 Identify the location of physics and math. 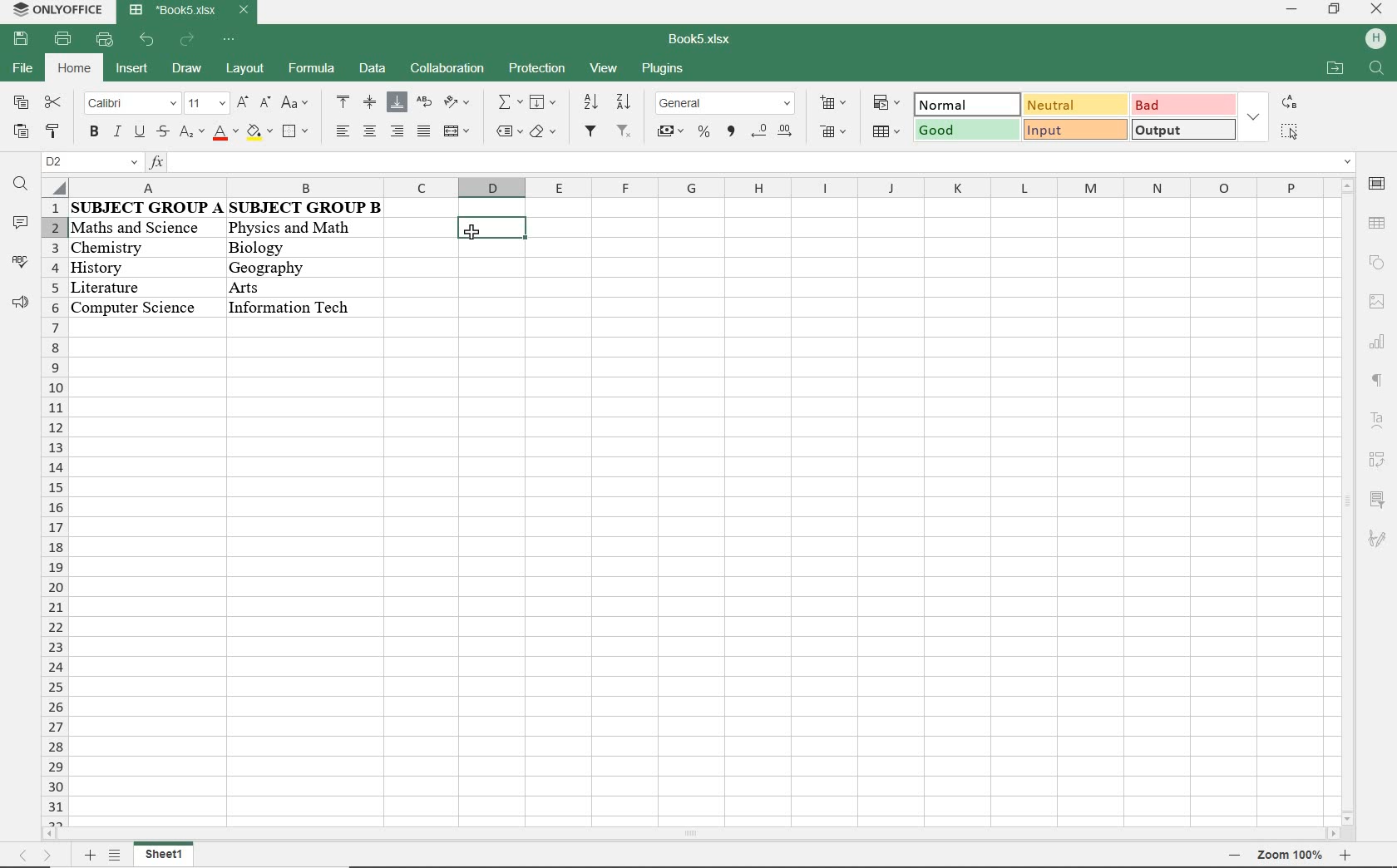
(290, 230).